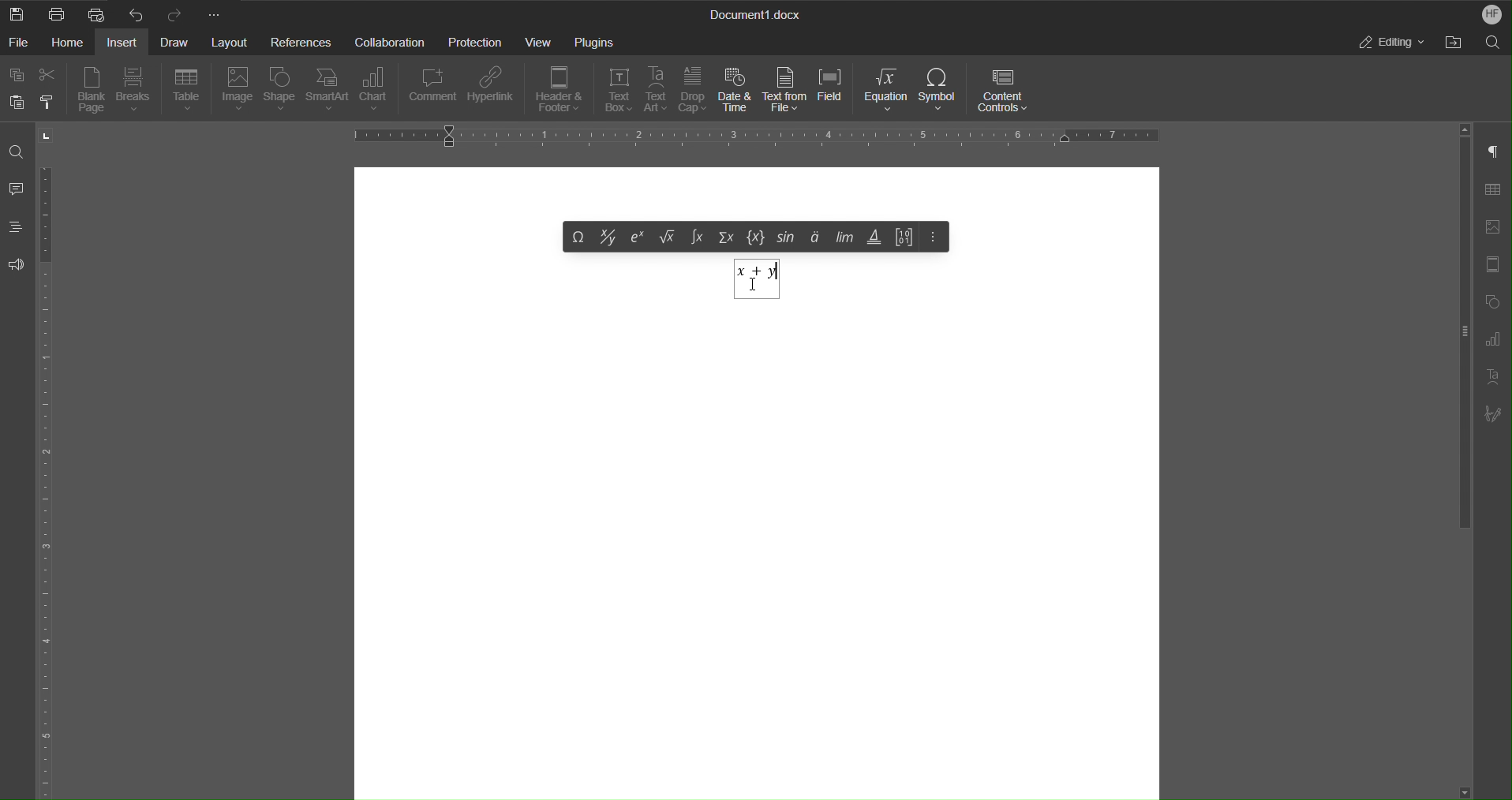 This screenshot has height=800, width=1512. What do you see at coordinates (17, 267) in the screenshot?
I see `Feedback and Support` at bounding box center [17, 267].